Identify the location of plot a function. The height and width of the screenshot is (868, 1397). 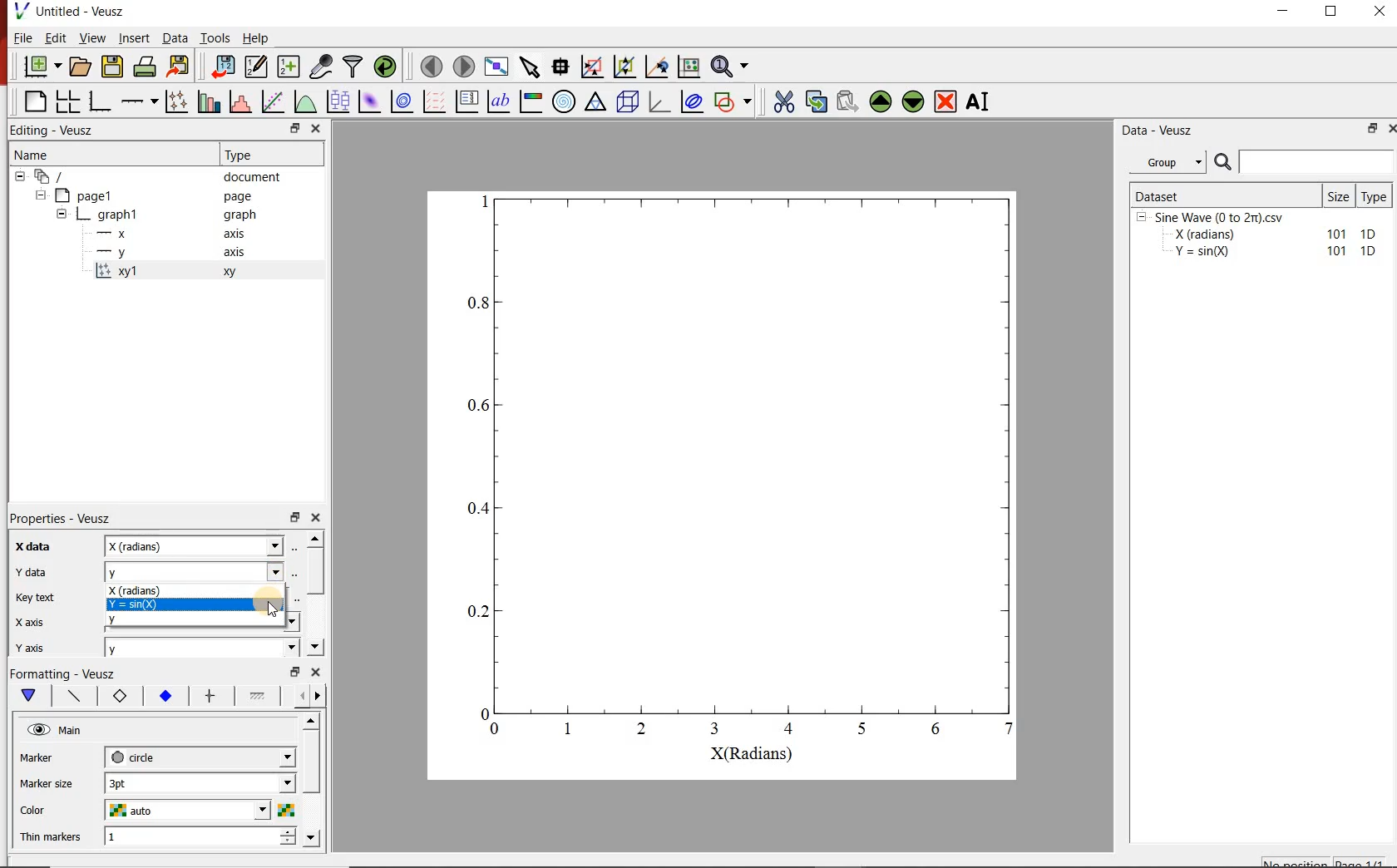
(307, 101).